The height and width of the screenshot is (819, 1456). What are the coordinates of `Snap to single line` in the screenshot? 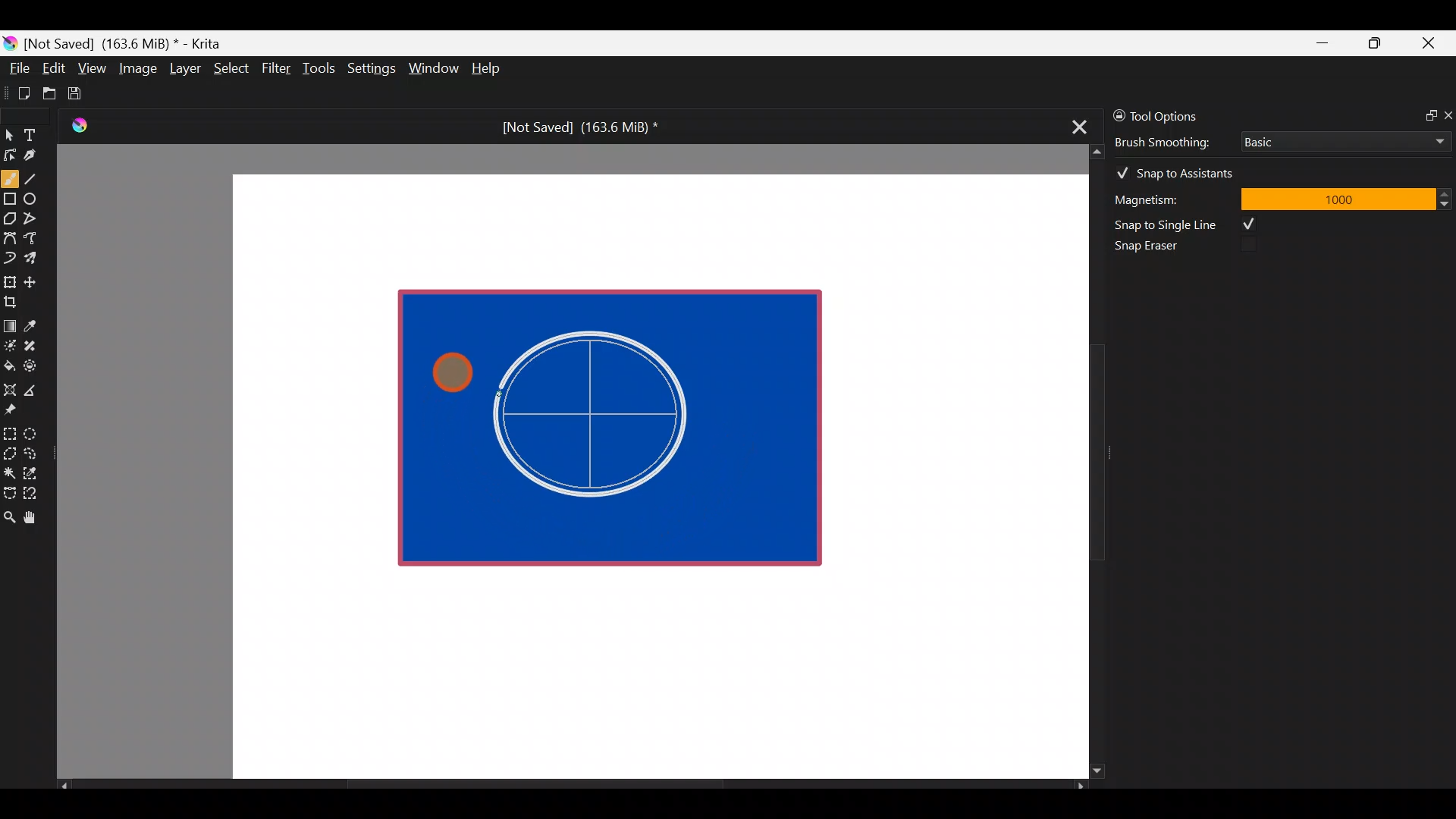 It's located at (1191, 224).